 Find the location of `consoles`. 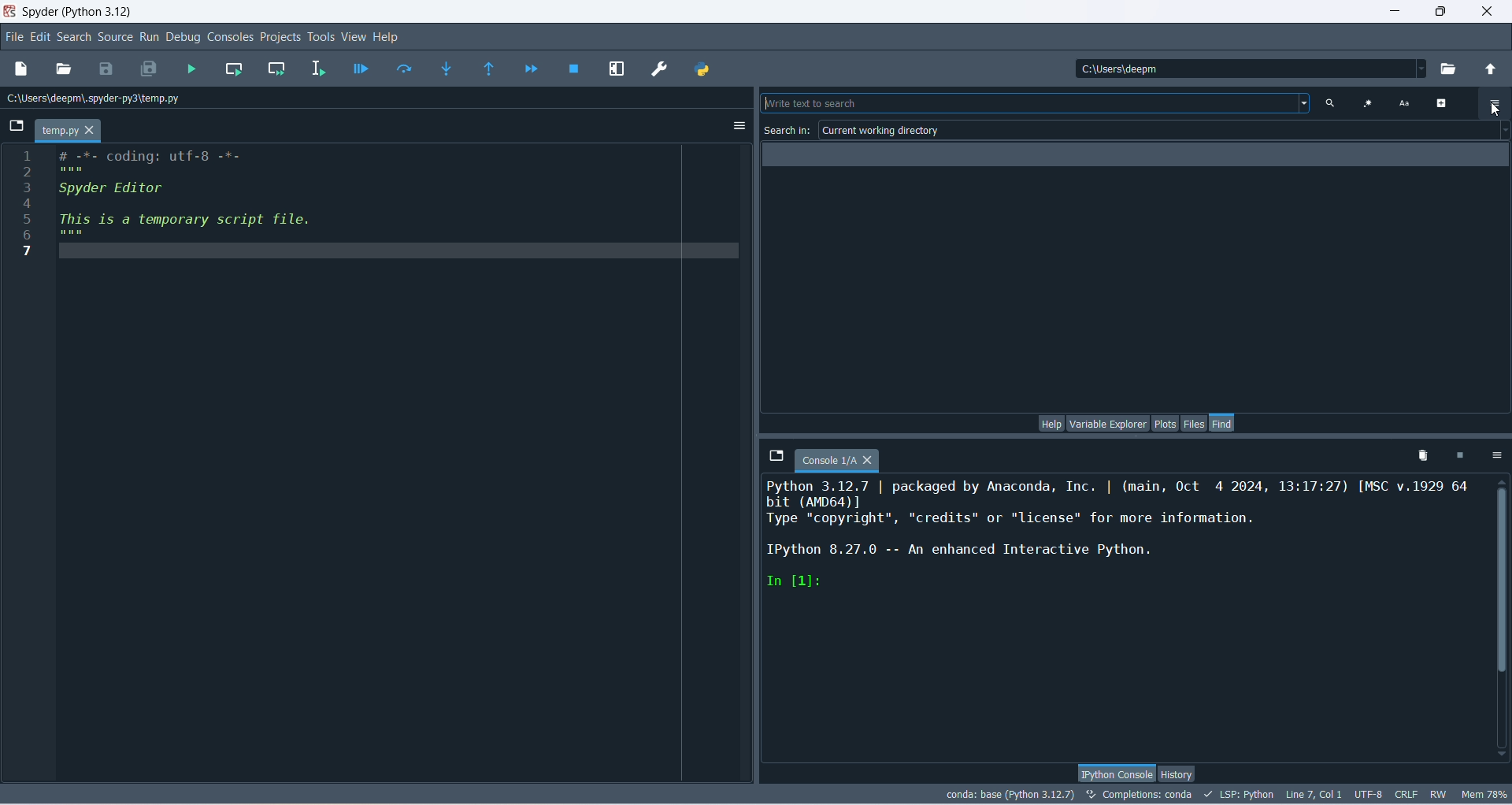

consoles is located at coordinates (231, 36).